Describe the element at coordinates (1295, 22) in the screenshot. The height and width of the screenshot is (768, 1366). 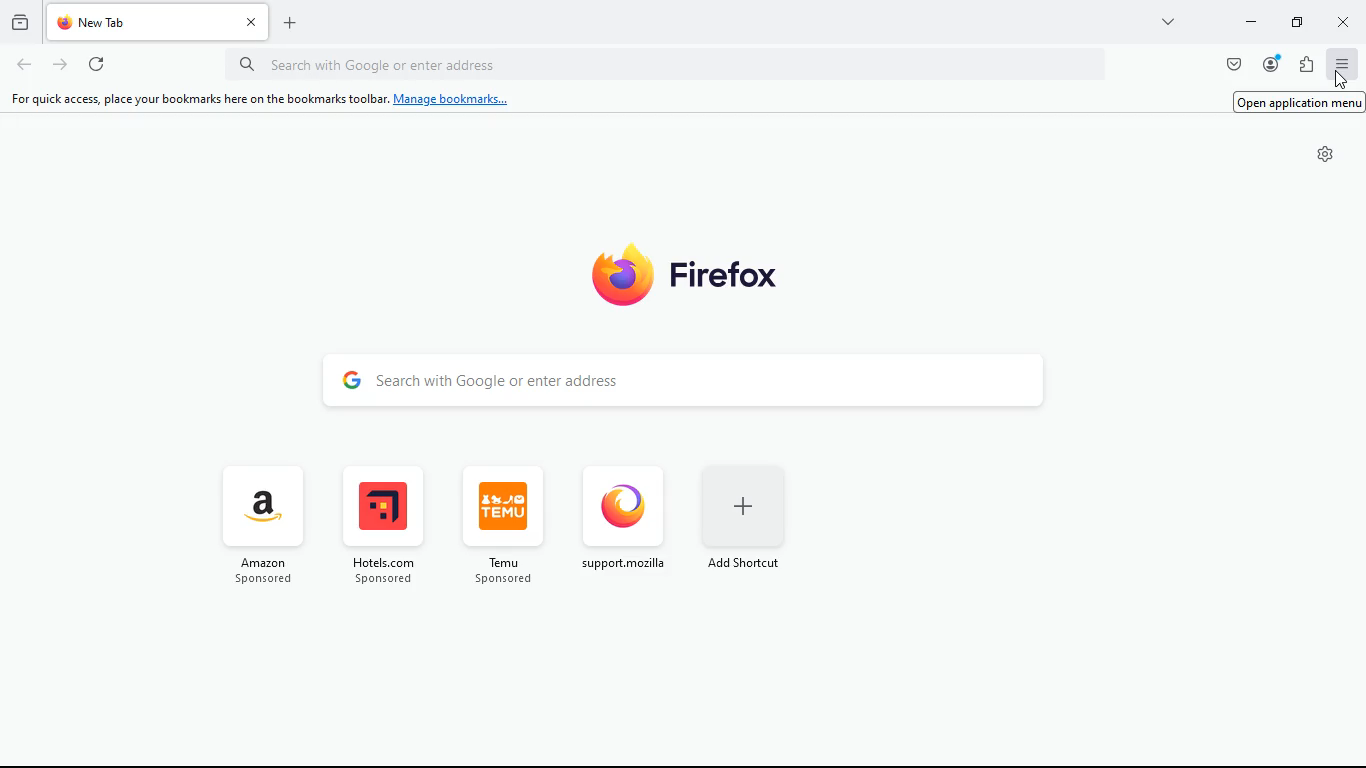
I see `maximize` at that location.